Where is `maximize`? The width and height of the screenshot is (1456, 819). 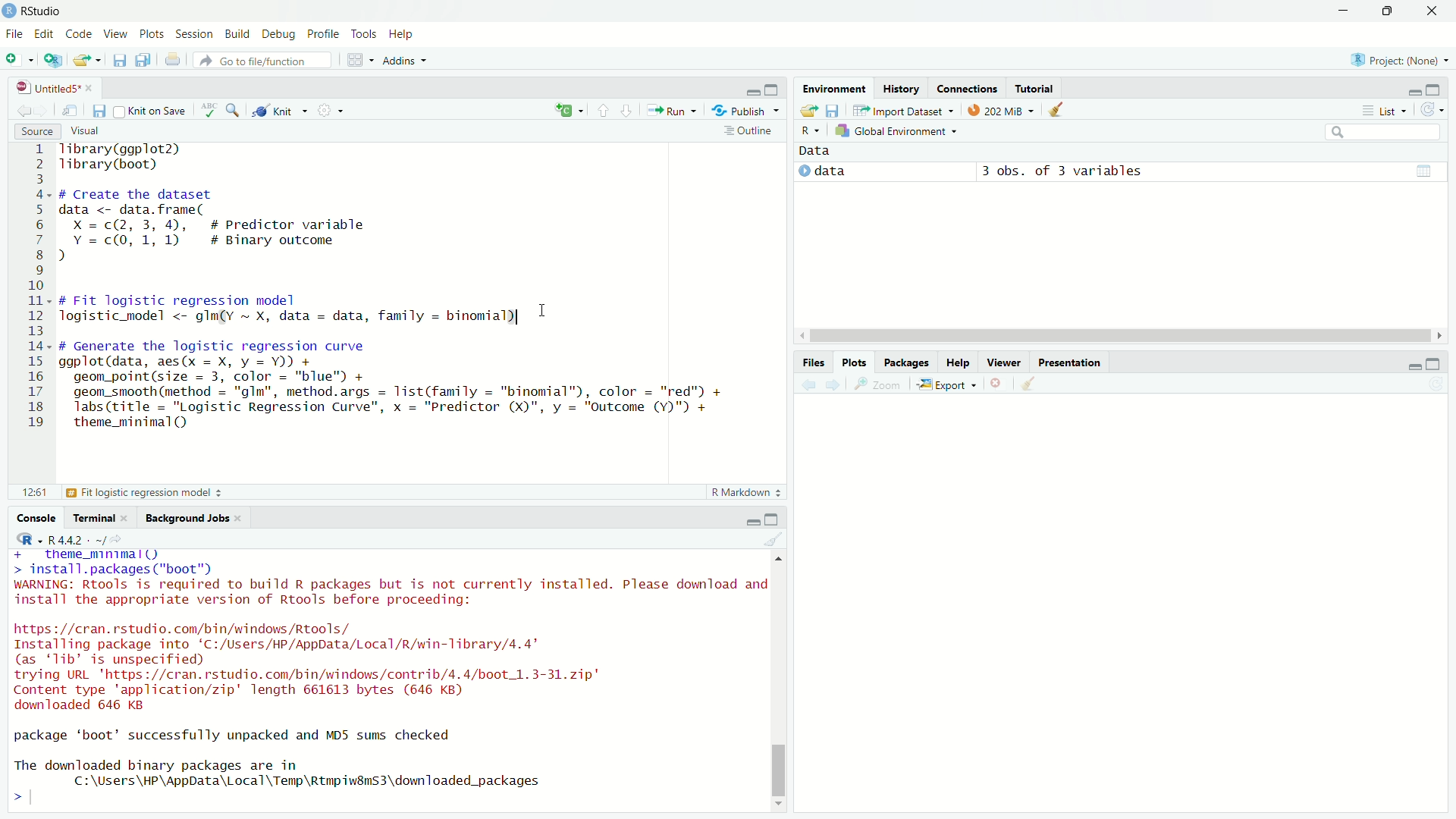 maximize is located at coordinates (1433, 364).